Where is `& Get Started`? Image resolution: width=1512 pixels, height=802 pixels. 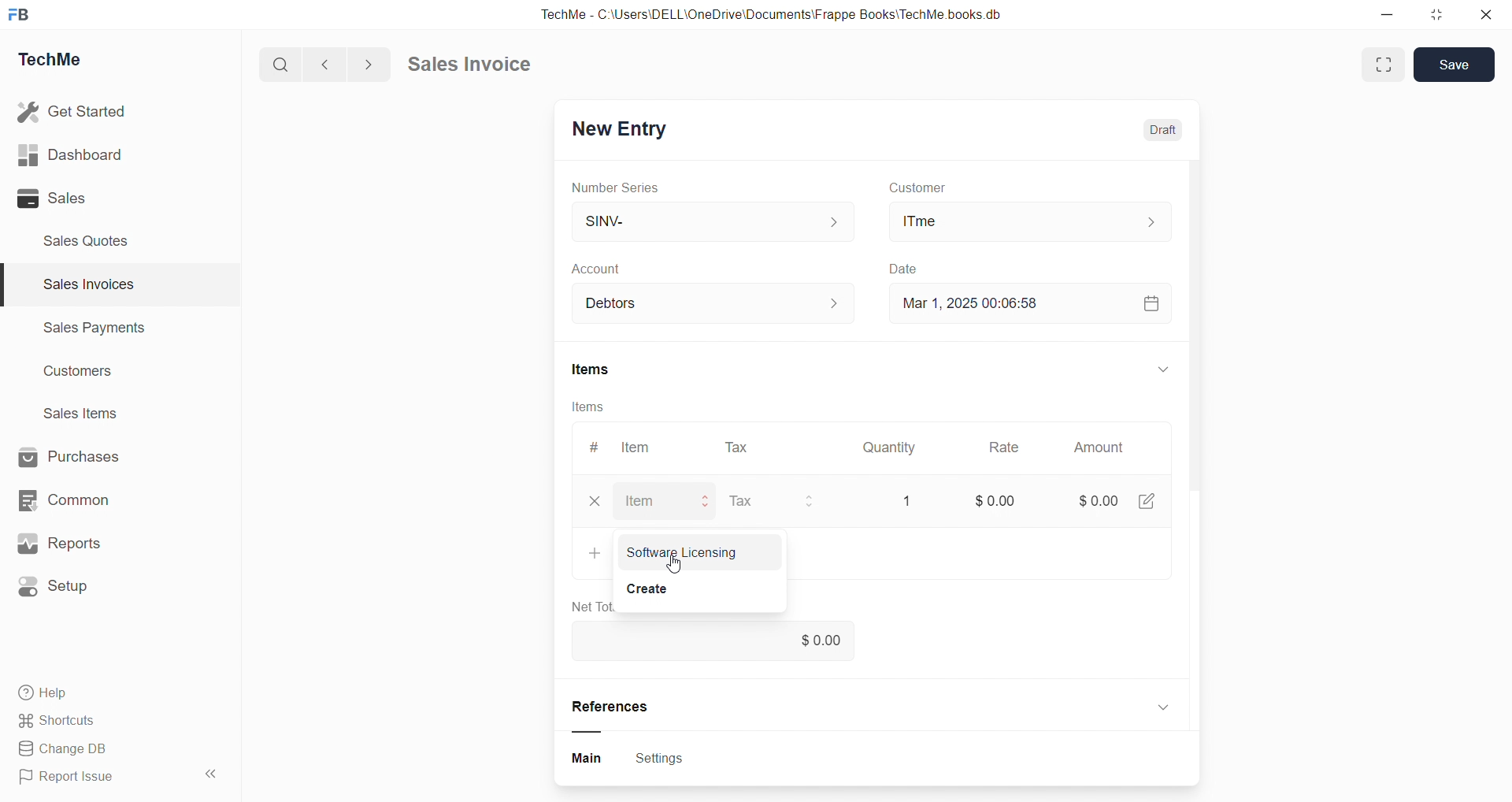
& Get Started is located at coordinates (74, 110).